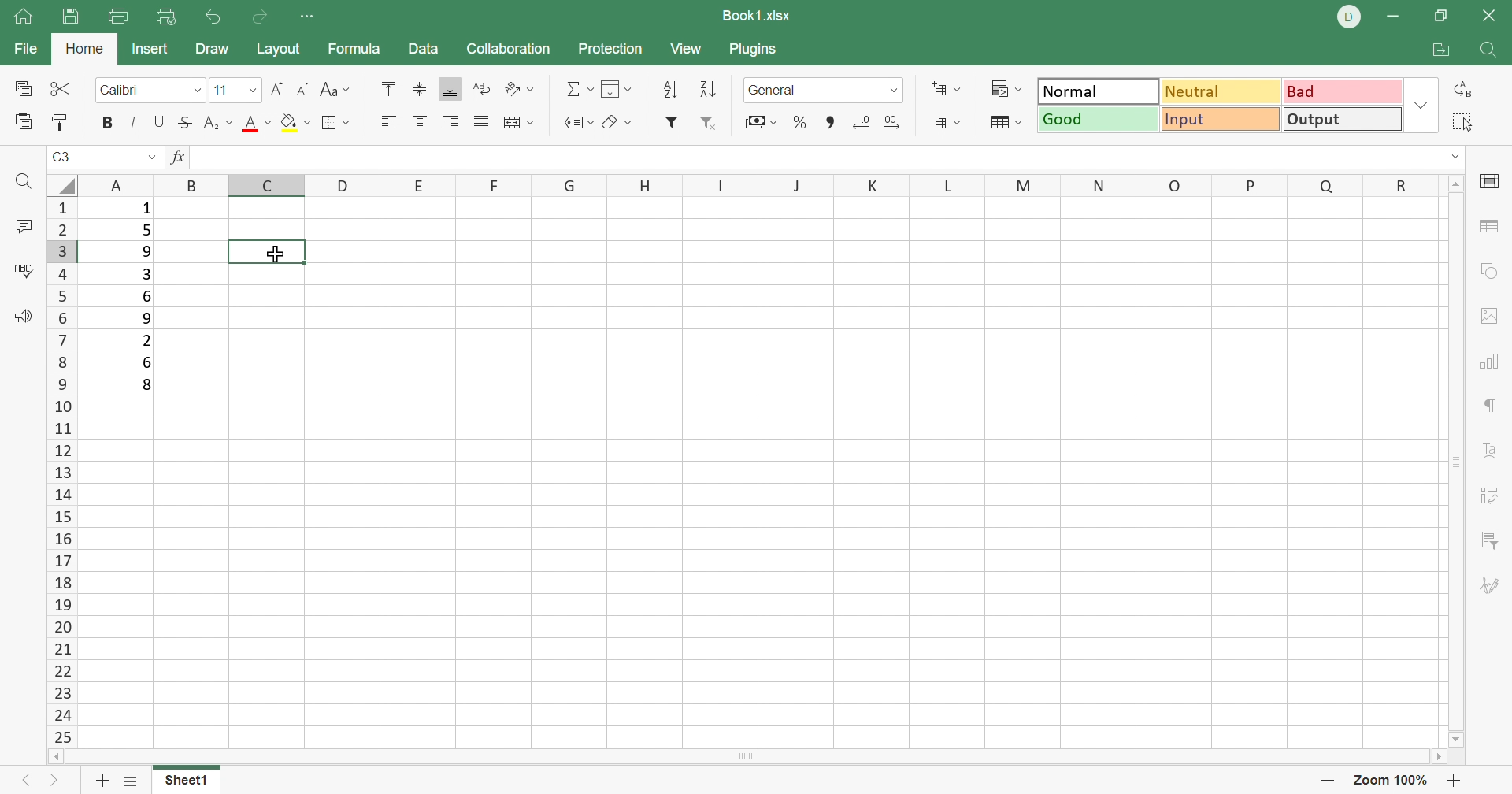 The height and width of the screenshot is (794, 1512). Describe the element at coordinates (277, 254) in the screenshot. I see `Cursor` at that location.